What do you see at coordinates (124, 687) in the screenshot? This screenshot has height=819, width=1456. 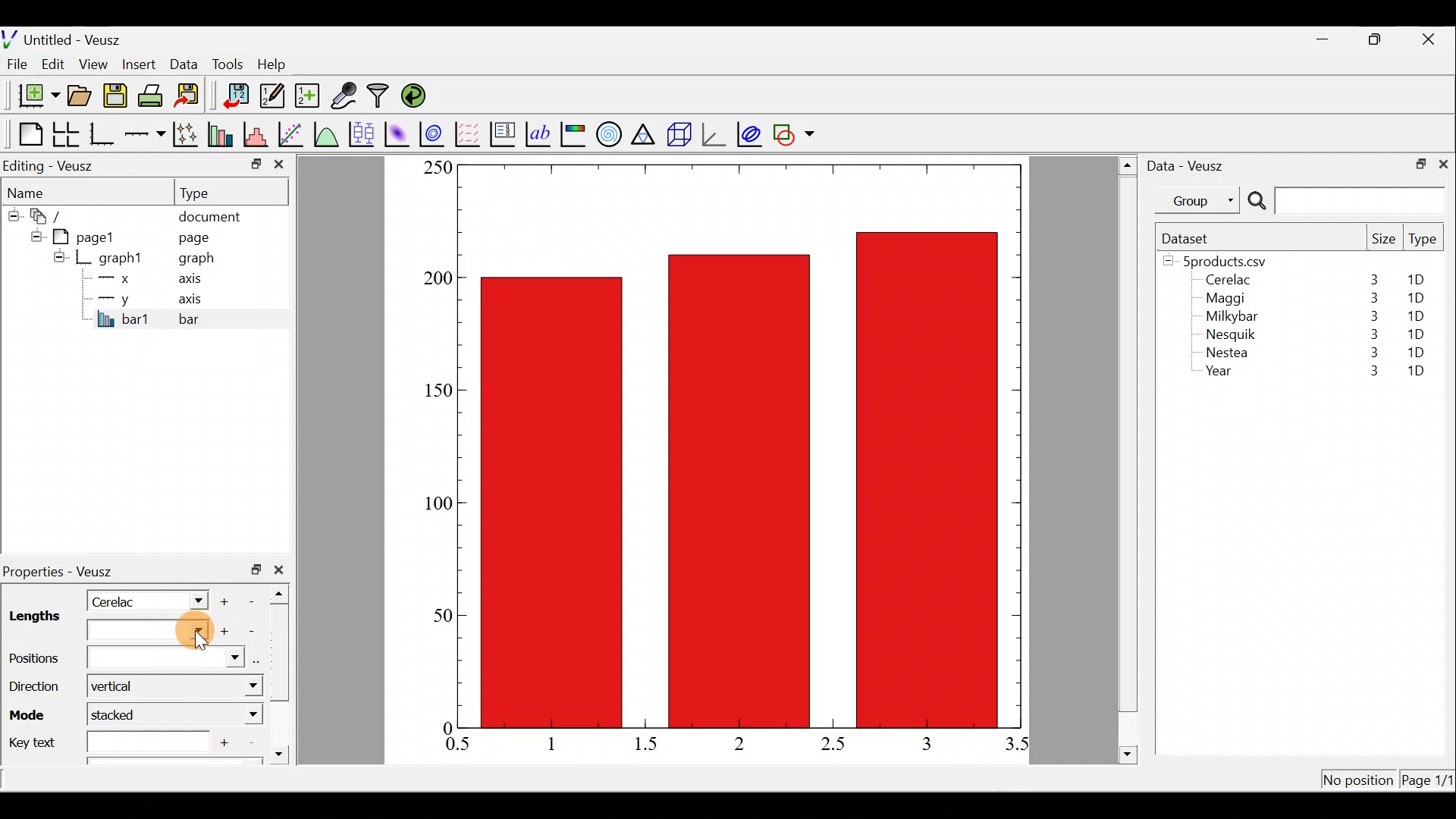 I see `Vertical` at bounding box center [124, 687].